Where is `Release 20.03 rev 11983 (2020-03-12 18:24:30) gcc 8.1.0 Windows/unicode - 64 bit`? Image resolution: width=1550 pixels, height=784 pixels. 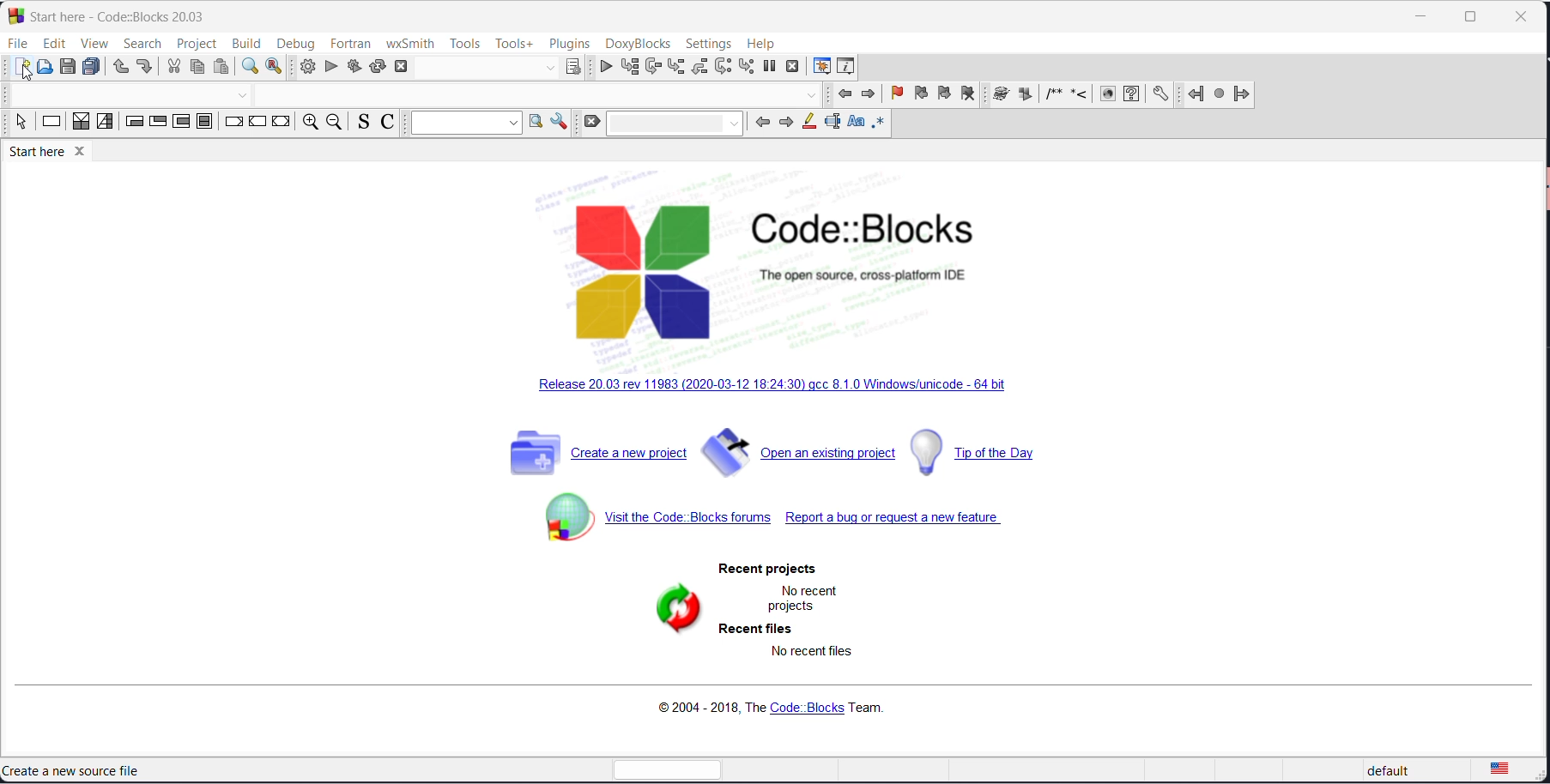 Release 20.03 rev 11983 (2020-03-12 18:24:30) gcc 8.1.0 Windows/unicode - 64 bit is located at coordinates (778, 387).